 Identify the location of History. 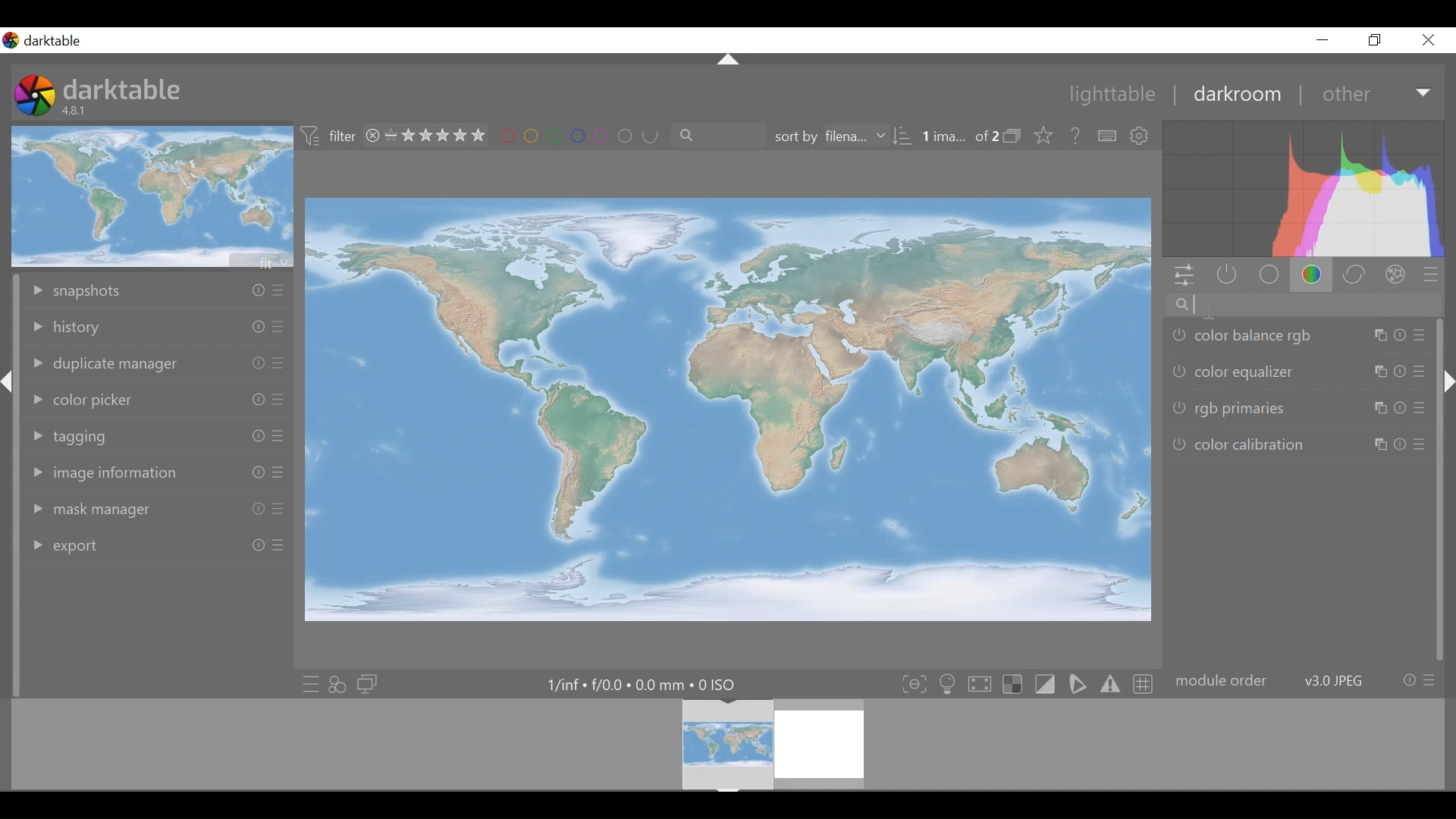
(157, 327).